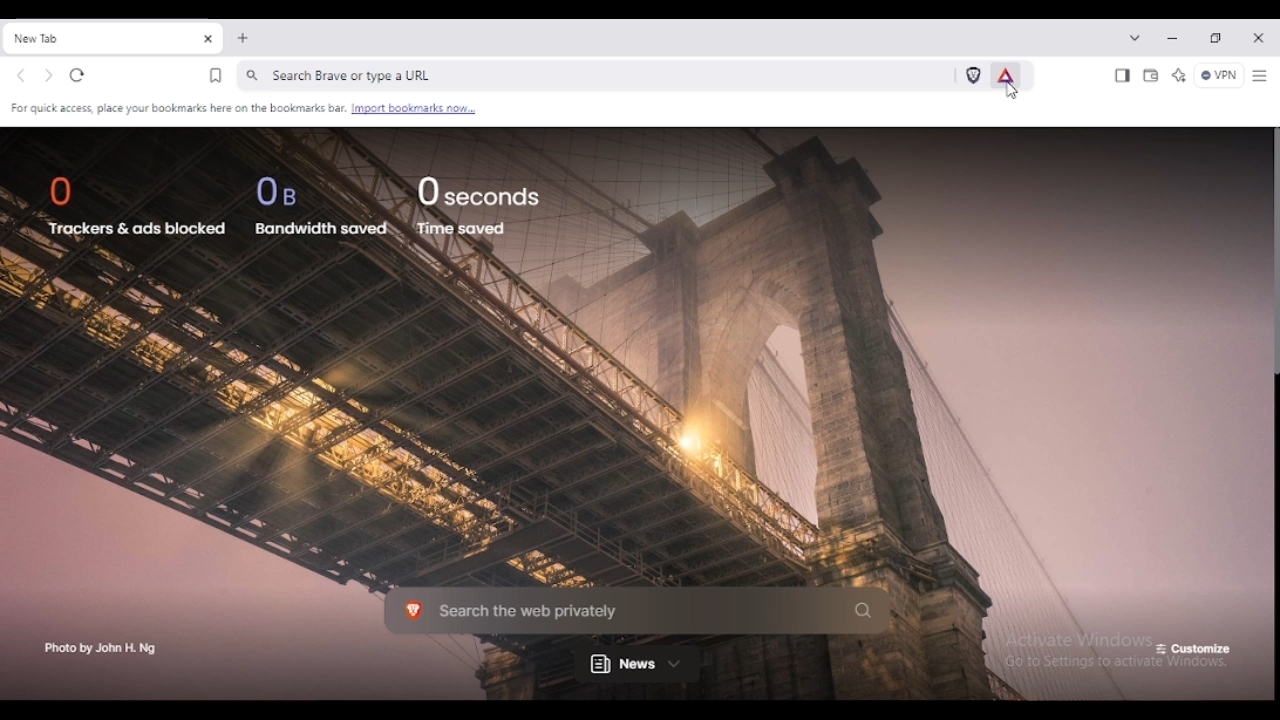 This screenshot has height=720, width=1280. Describe the element at coordinates (322, 203) in the screenshot. I see `0 B bandwidth saved` at that location.